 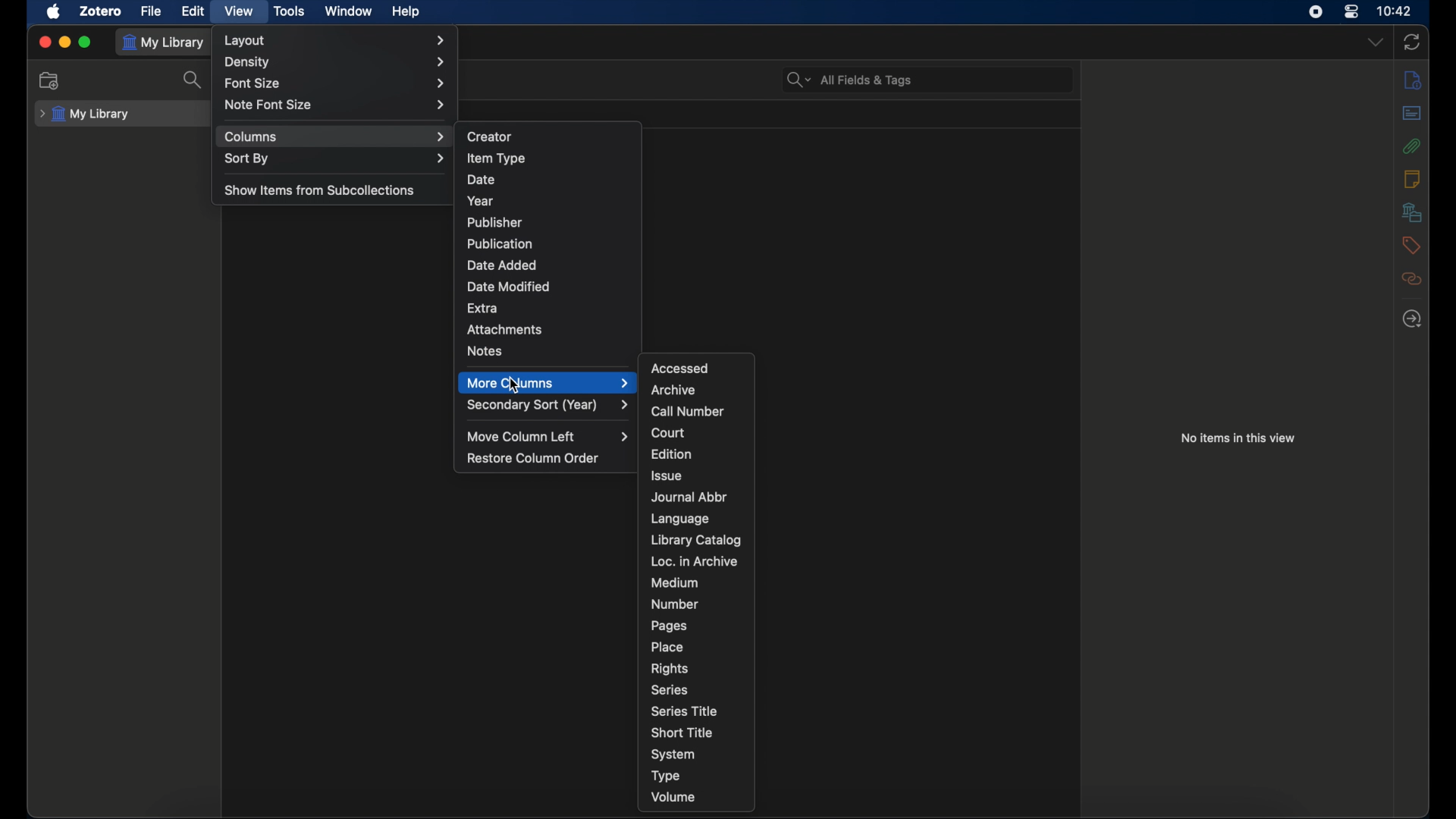 What do you see at coordinates (86, 114) in the screenshot?
I see `my library` at bounding box center [86, 114].